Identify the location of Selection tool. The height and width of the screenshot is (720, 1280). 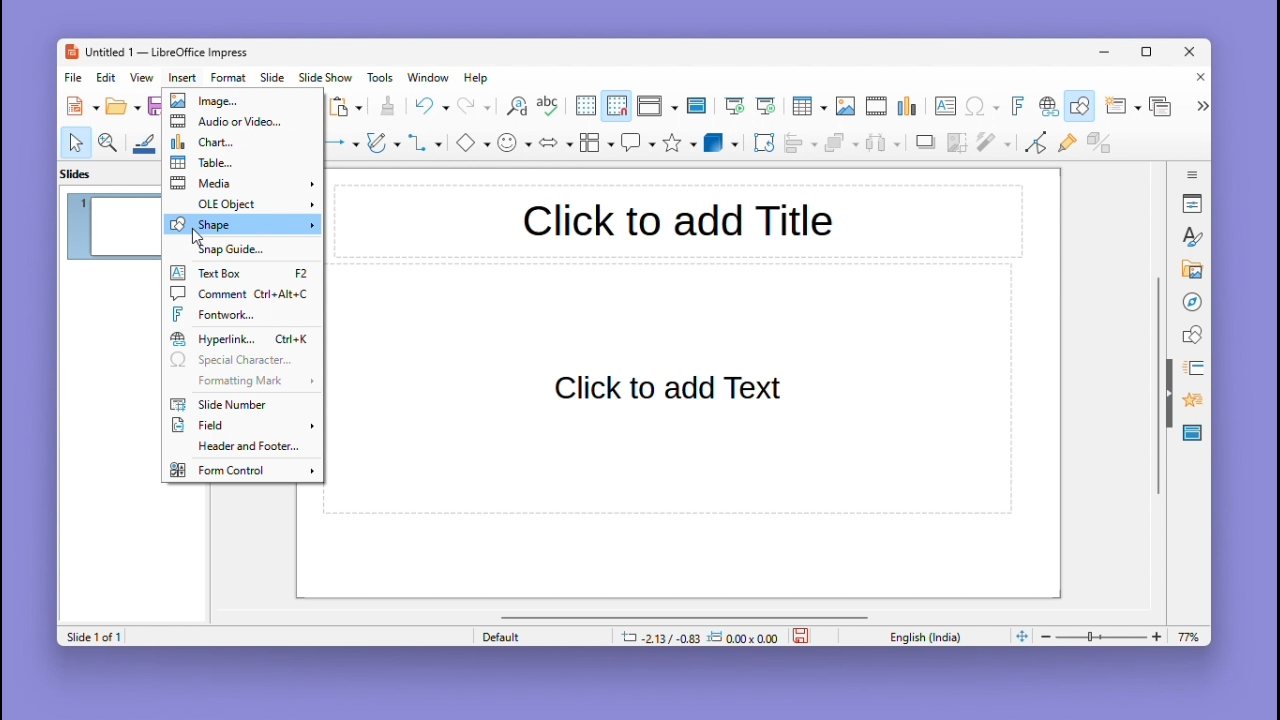
(75, 142).